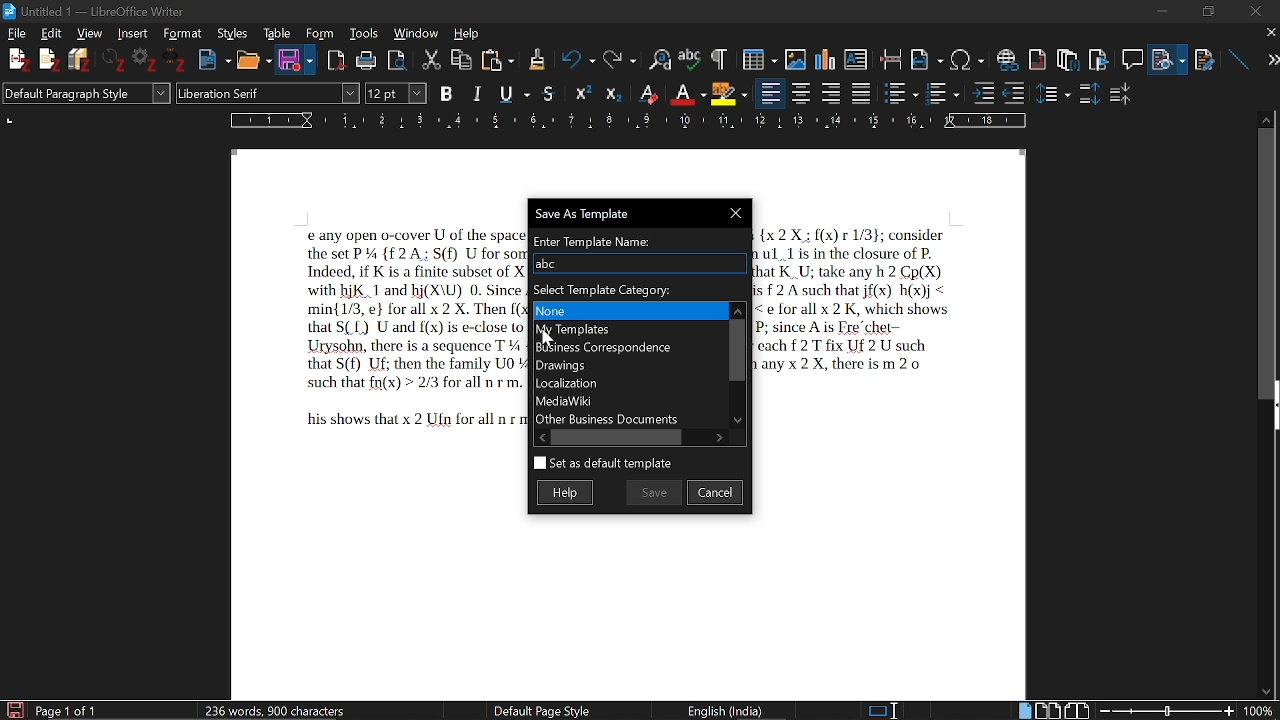  I want to click on , so click(717, 58).